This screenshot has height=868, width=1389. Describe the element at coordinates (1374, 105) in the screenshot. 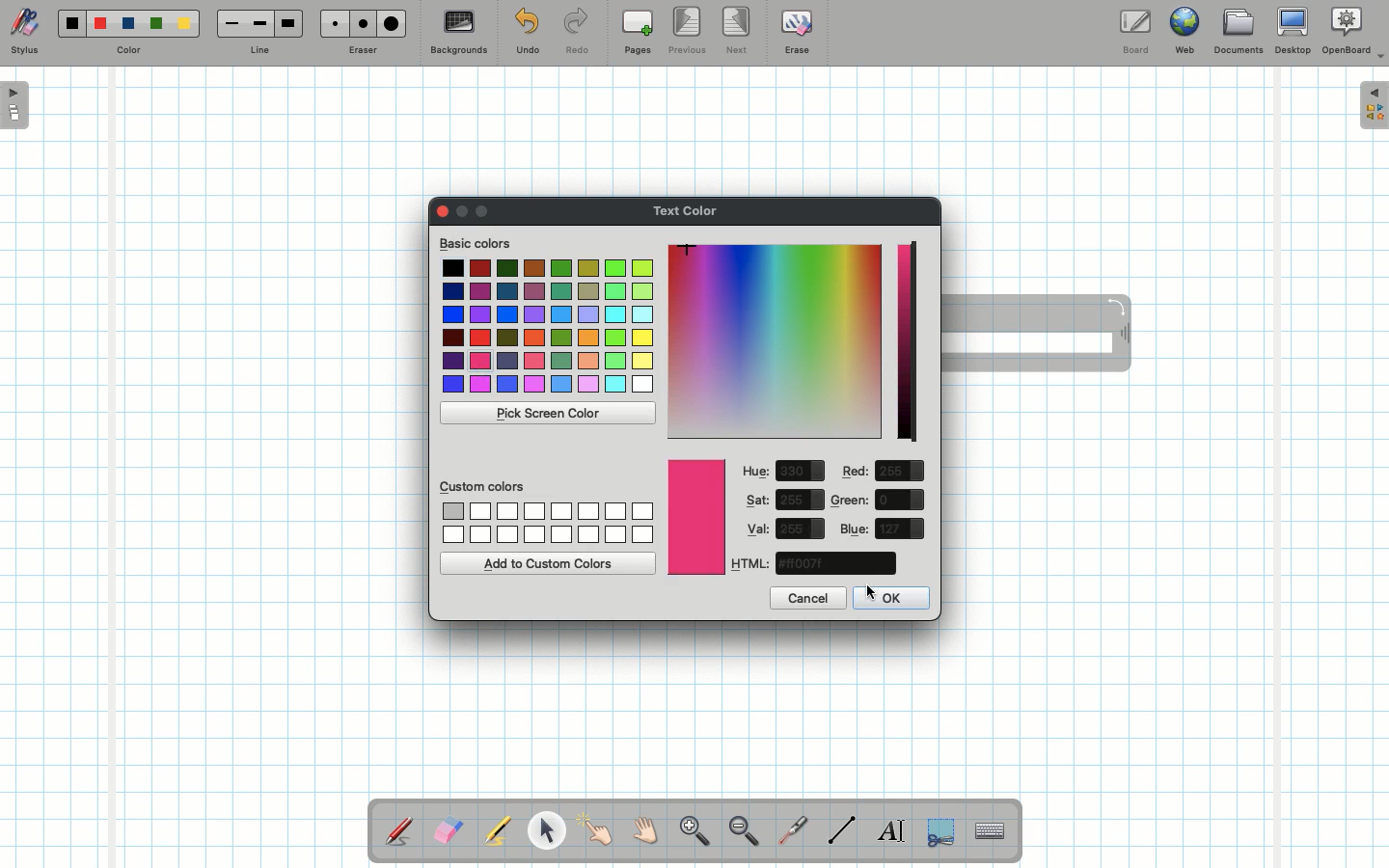

I see `Expand` at that location.